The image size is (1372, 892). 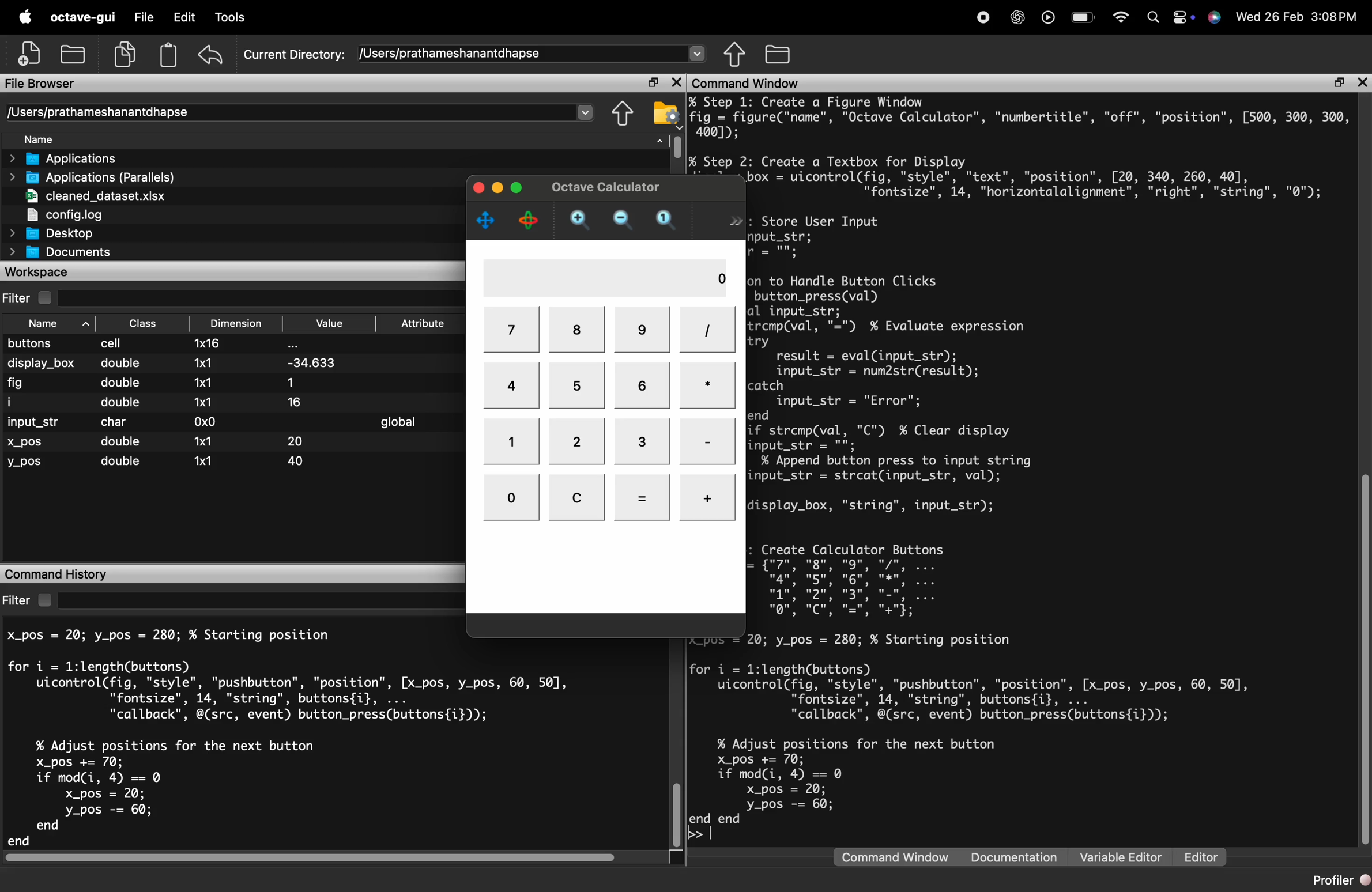 I want to click on cleaned_dataset.xlsx, so click(x=97, y=196).